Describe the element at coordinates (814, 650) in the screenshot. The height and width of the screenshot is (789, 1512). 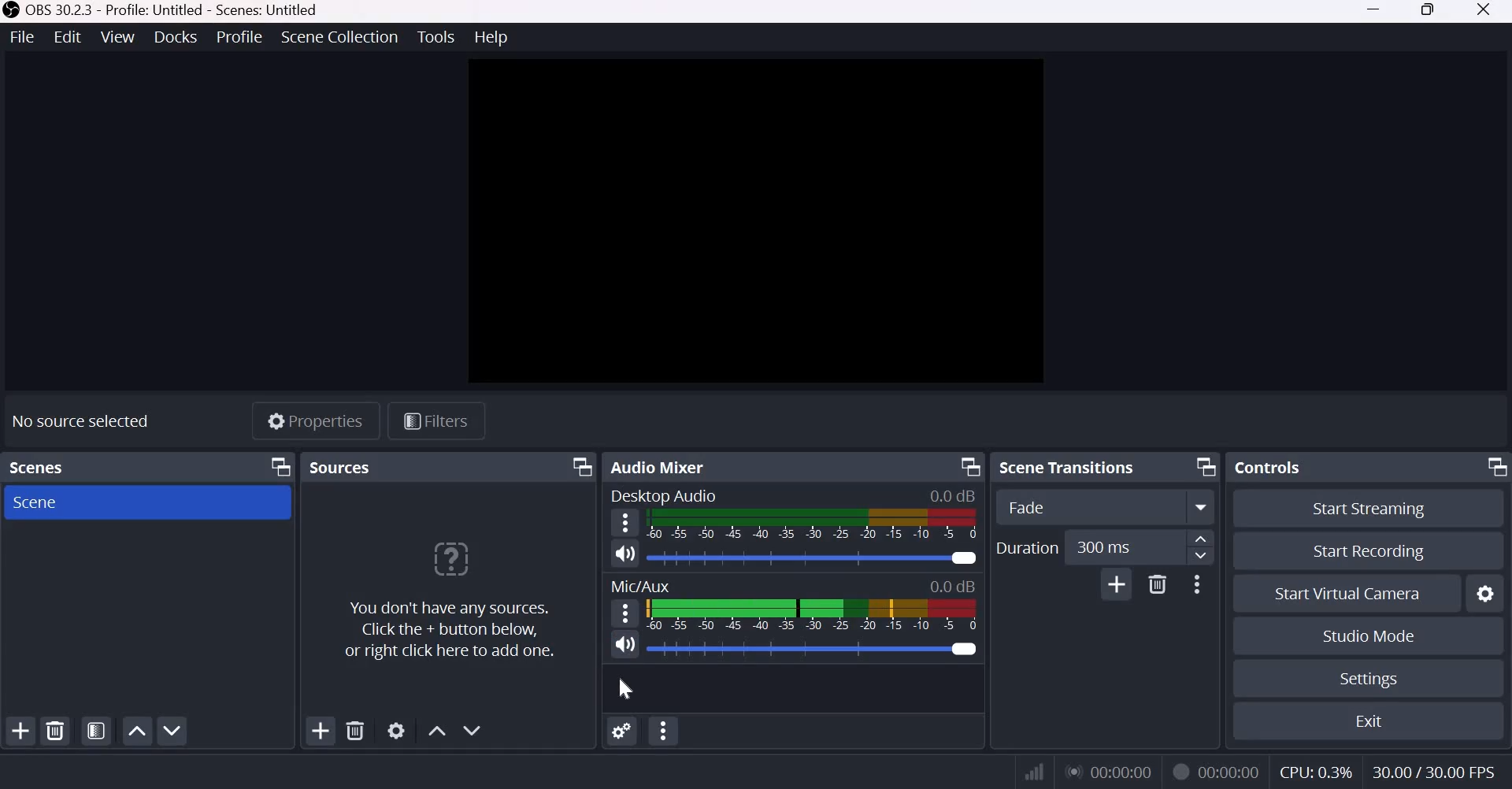
I see `Audio Slider` at that location.